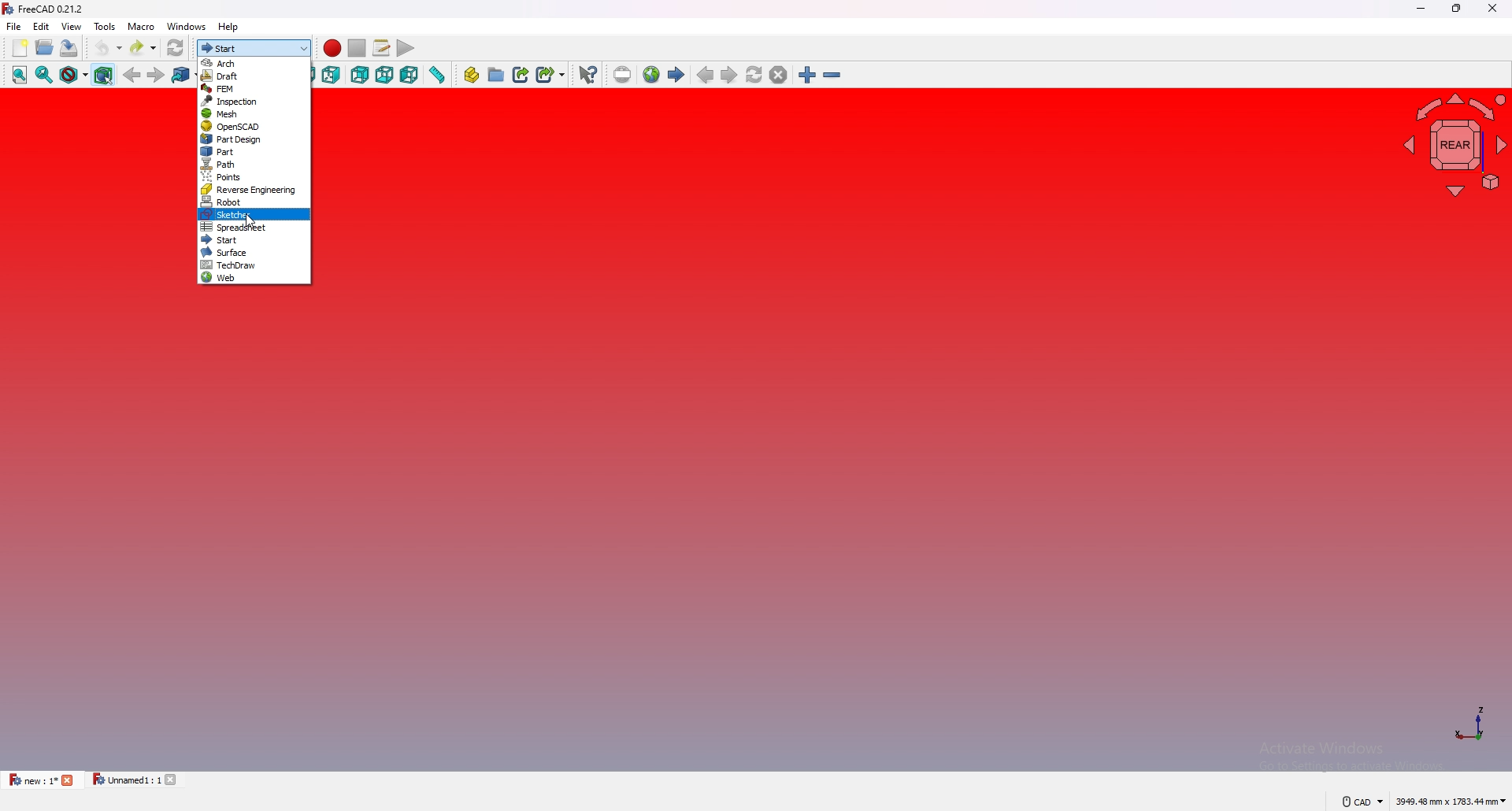 The width and height of the screenshot is (1512, 811). What do you see at coordinates (254, 150) in the screenshot?
I see `part` at bounding box center [254, 150].